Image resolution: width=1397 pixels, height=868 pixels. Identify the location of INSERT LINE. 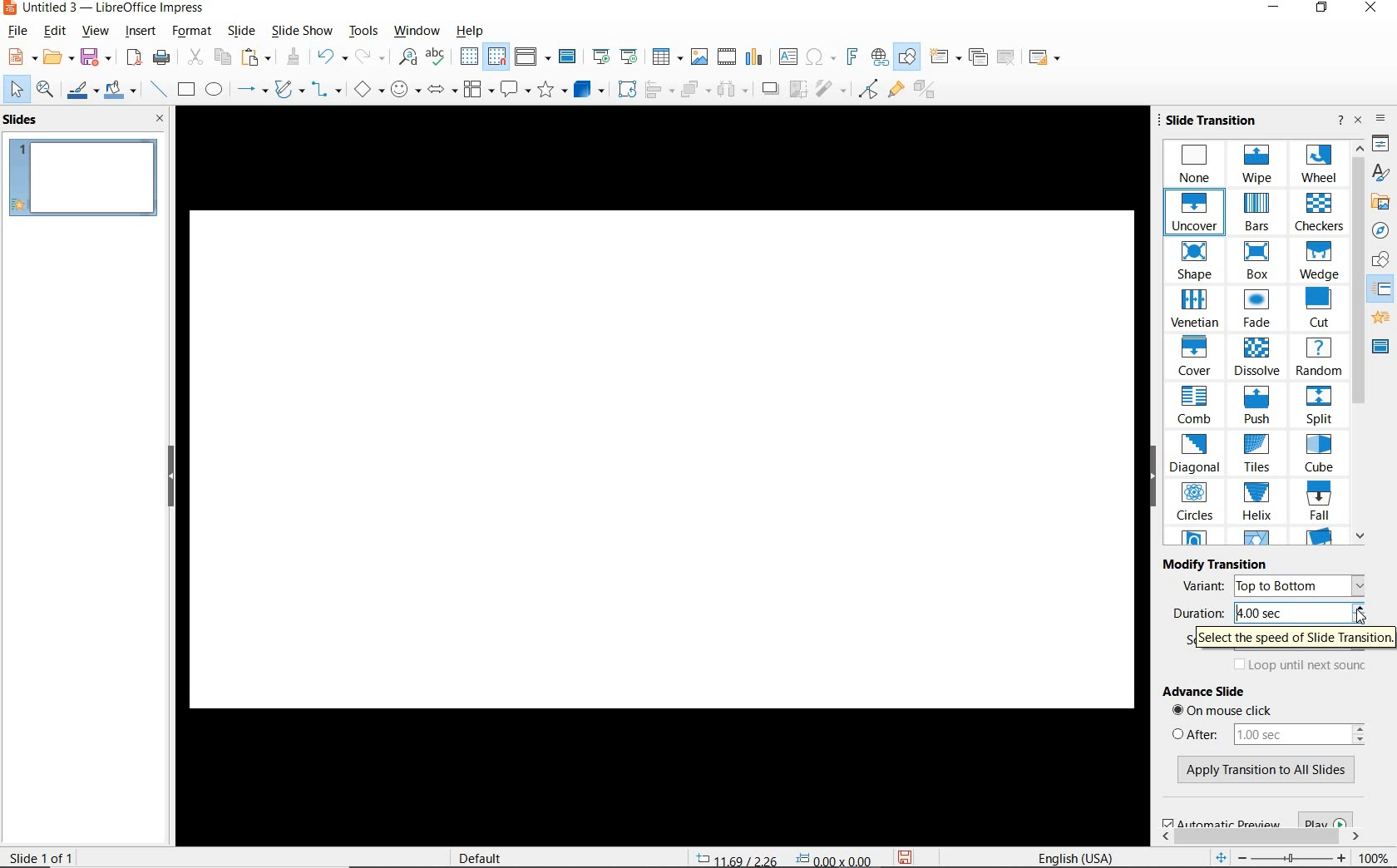
(160, 90).